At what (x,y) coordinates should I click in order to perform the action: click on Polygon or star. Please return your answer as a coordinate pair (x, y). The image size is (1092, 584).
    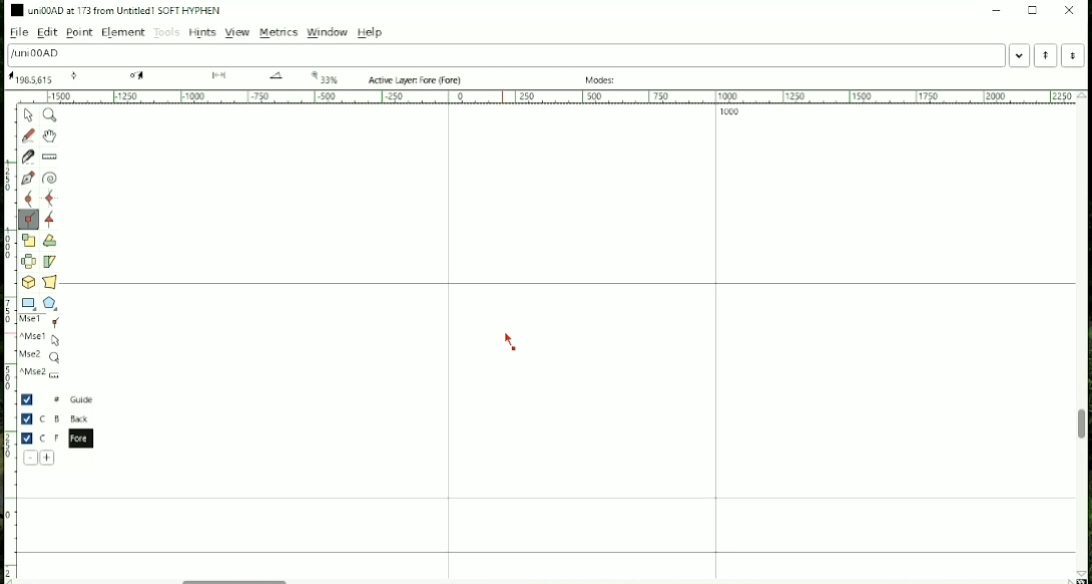
    Looking at the image, I should click on (52, 303).